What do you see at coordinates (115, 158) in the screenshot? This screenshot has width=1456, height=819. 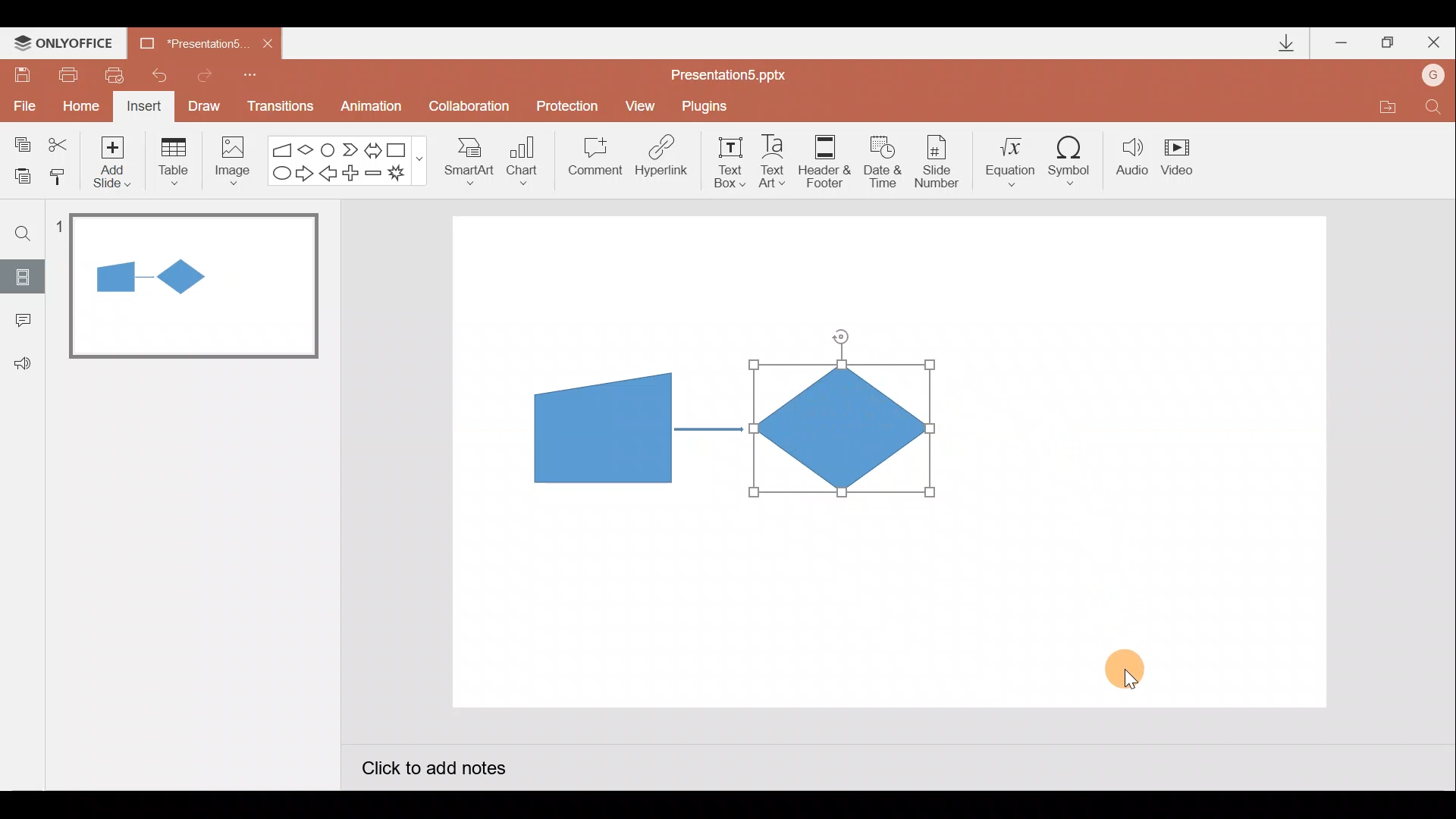 I see `Add slide` at bounding box center [115, 158].